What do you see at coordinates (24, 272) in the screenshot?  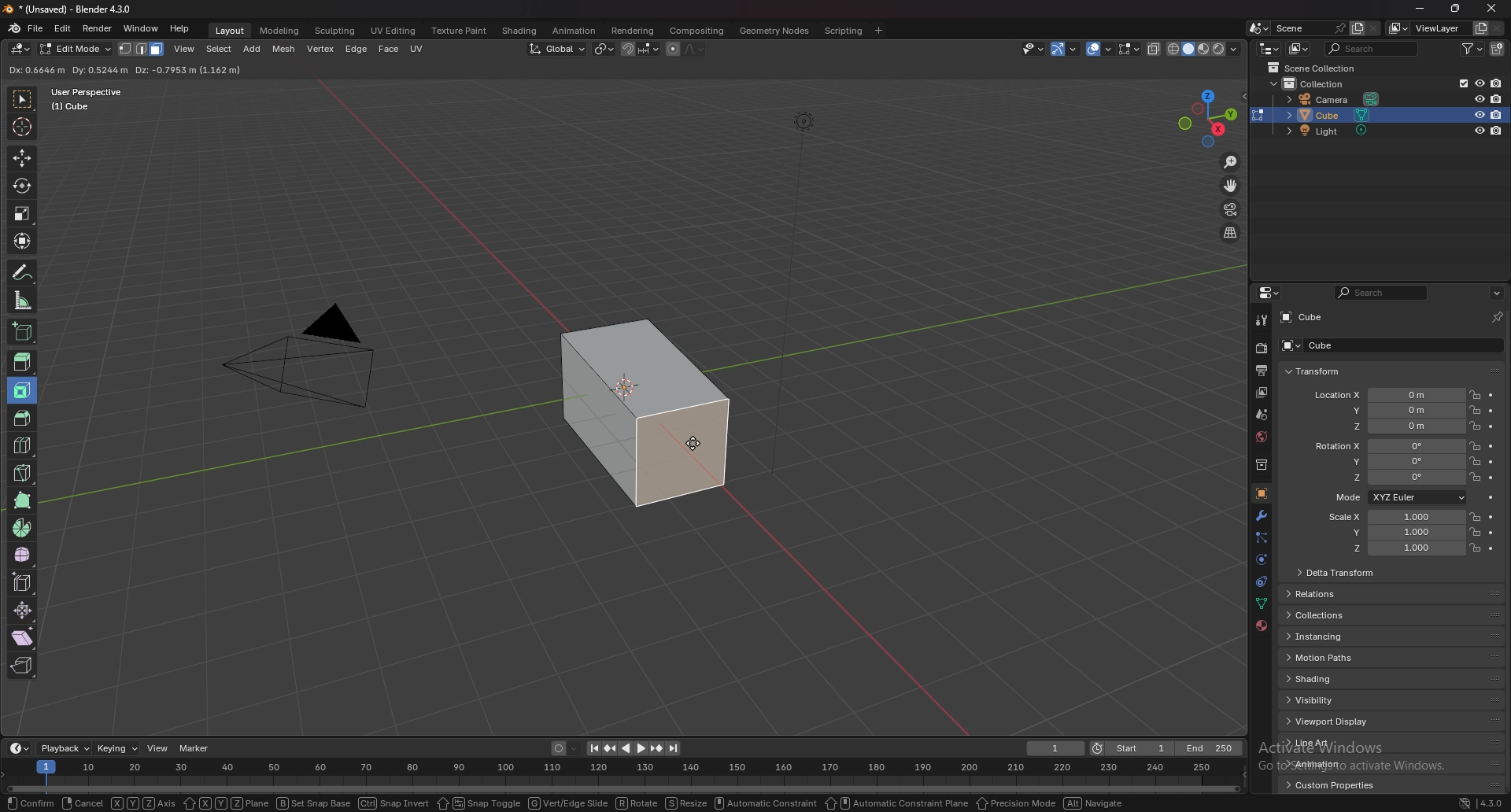 I see `annotate` at bounding box center [24, 272].